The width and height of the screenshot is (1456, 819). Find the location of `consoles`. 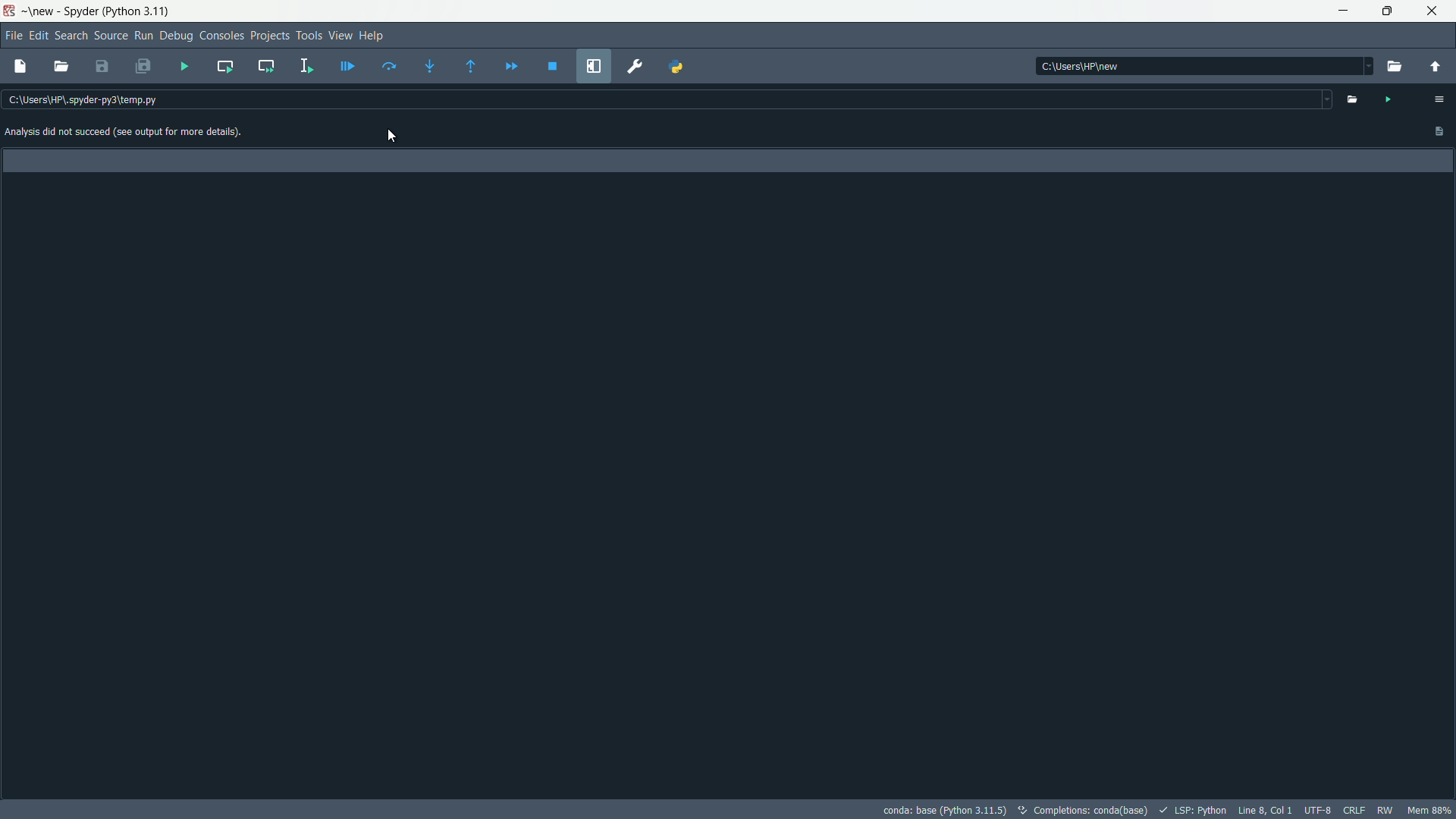

consoles is located at coordinates (221, 36).